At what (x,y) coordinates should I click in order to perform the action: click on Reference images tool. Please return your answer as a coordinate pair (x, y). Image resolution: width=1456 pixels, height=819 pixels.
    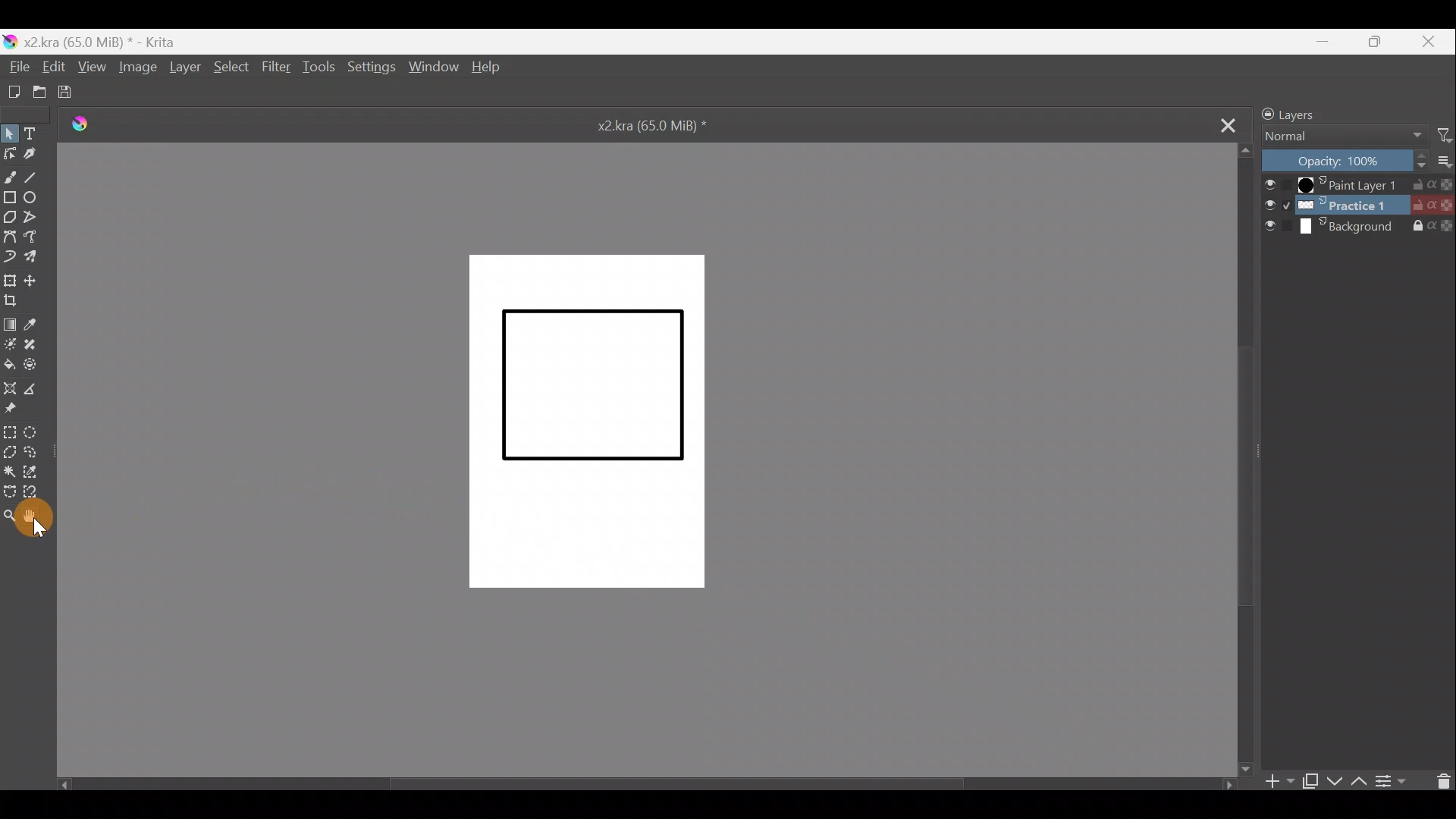
    Looking at the image, I should click on (18, 409).